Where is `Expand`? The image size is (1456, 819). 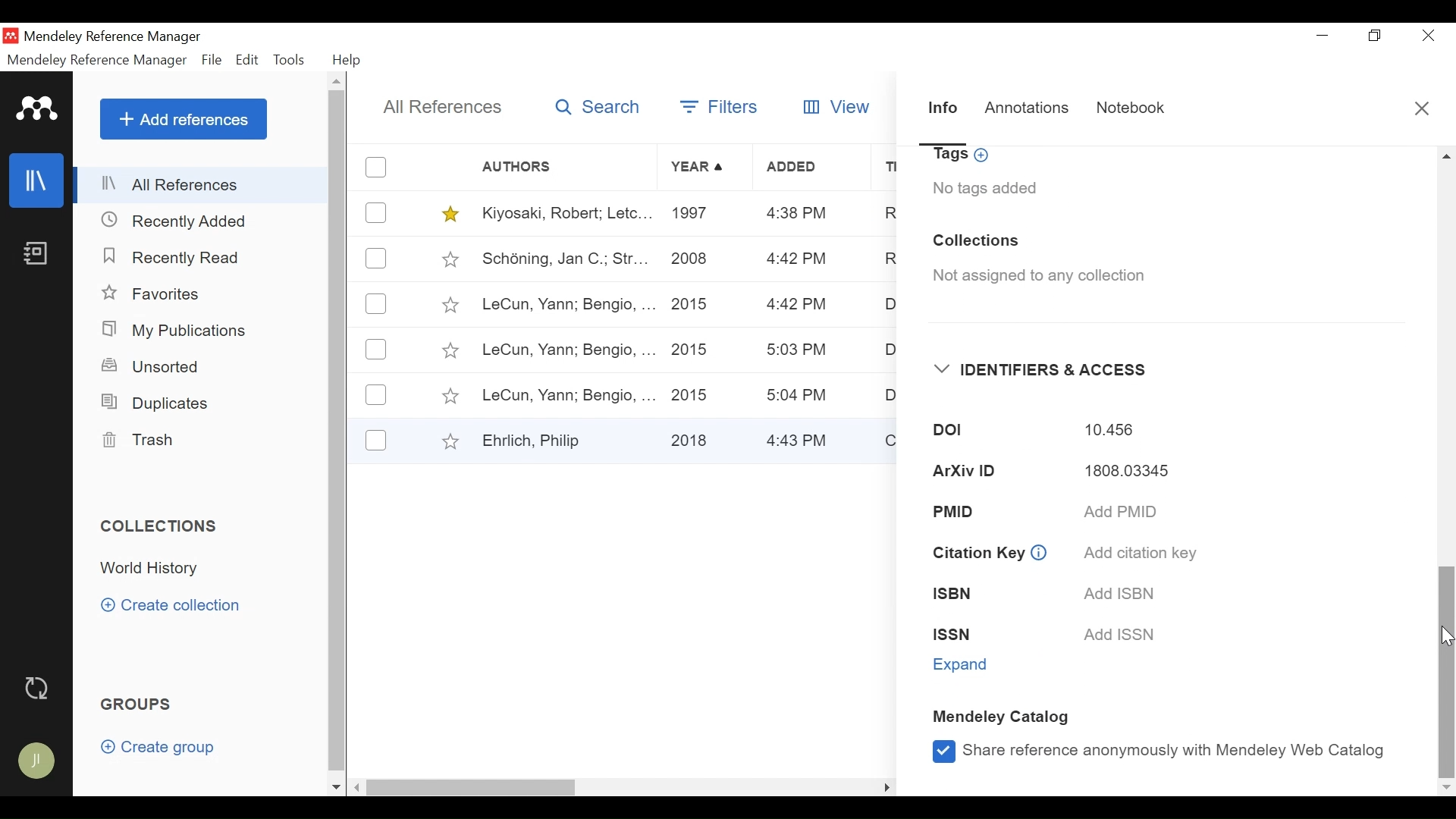 Expand is located at coordinates (964, 665).